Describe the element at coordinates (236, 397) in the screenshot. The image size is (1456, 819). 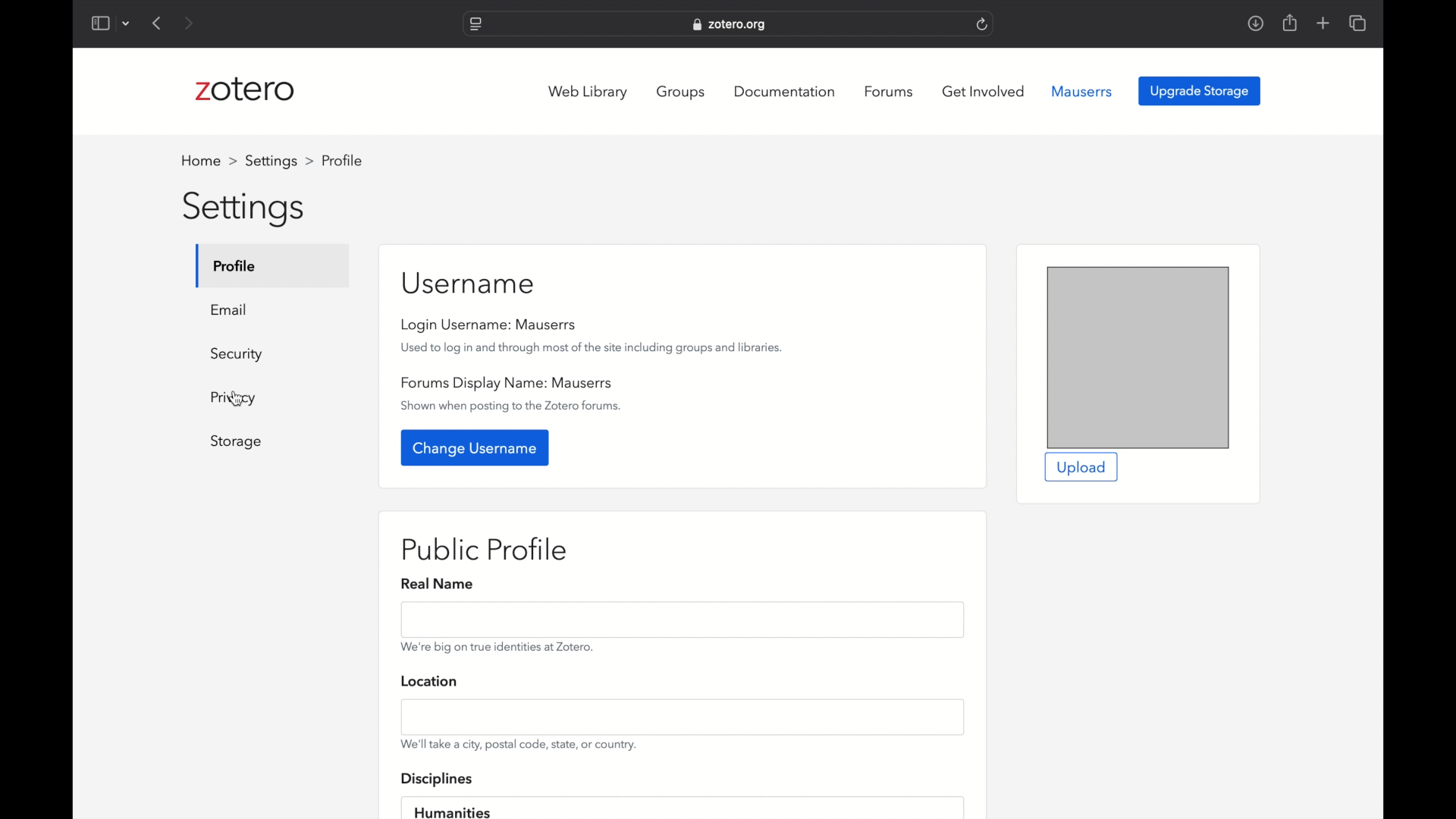
I see `cursor` at that location.